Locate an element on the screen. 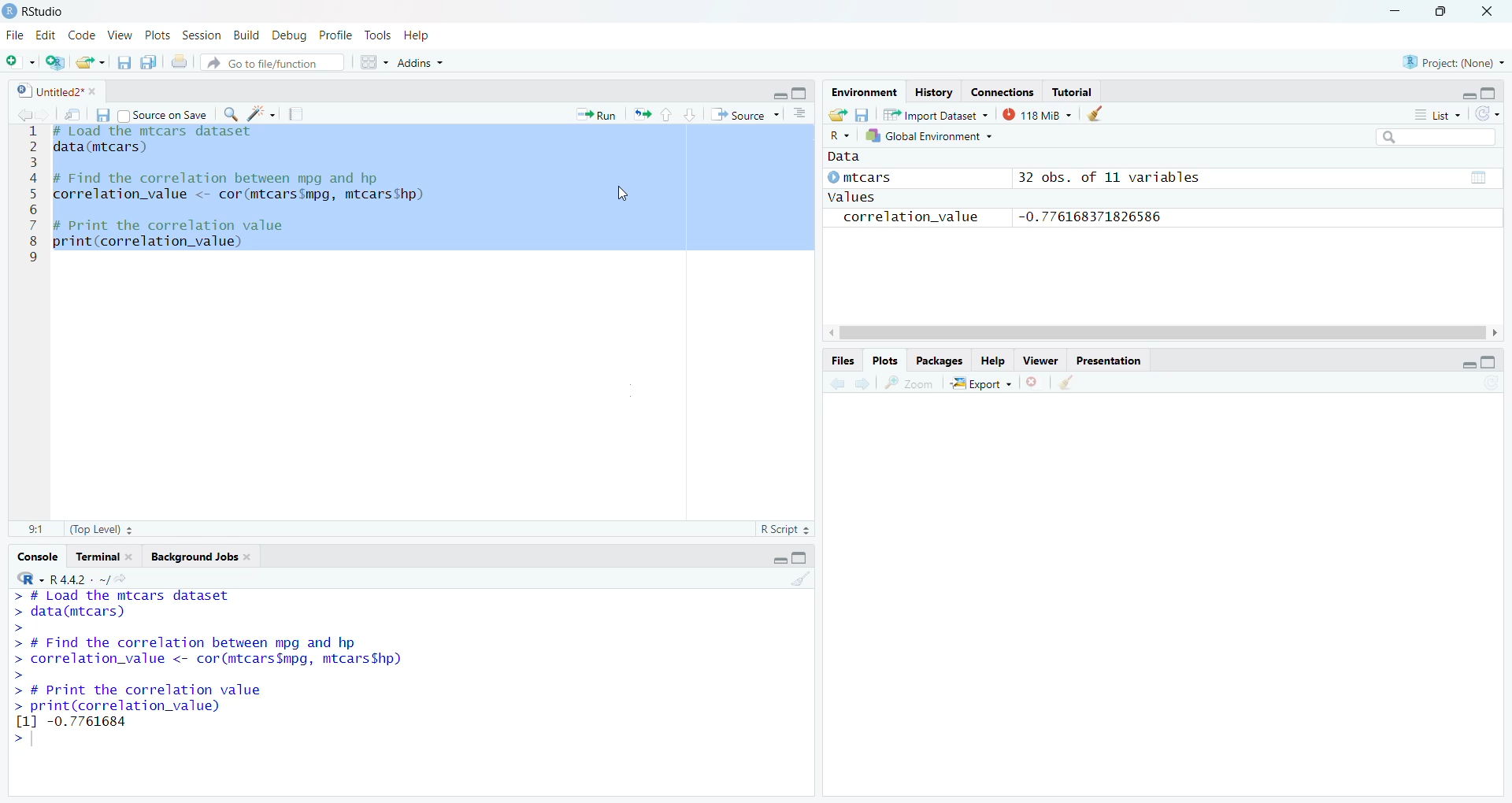  R.4.4.2~/ is located at coordinates (75, 578).